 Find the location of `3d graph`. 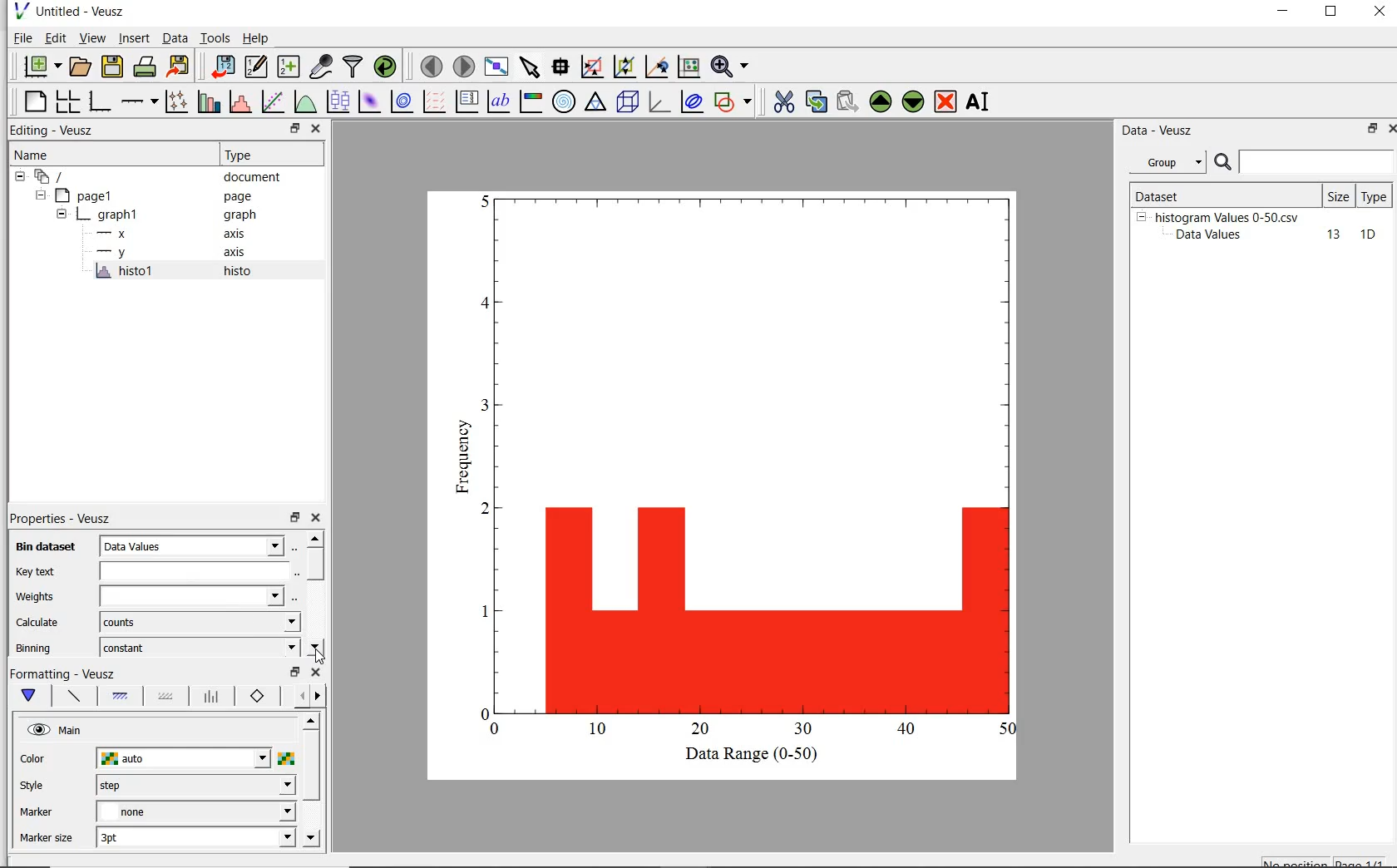

3d graph is located at coordinates (659, 102).